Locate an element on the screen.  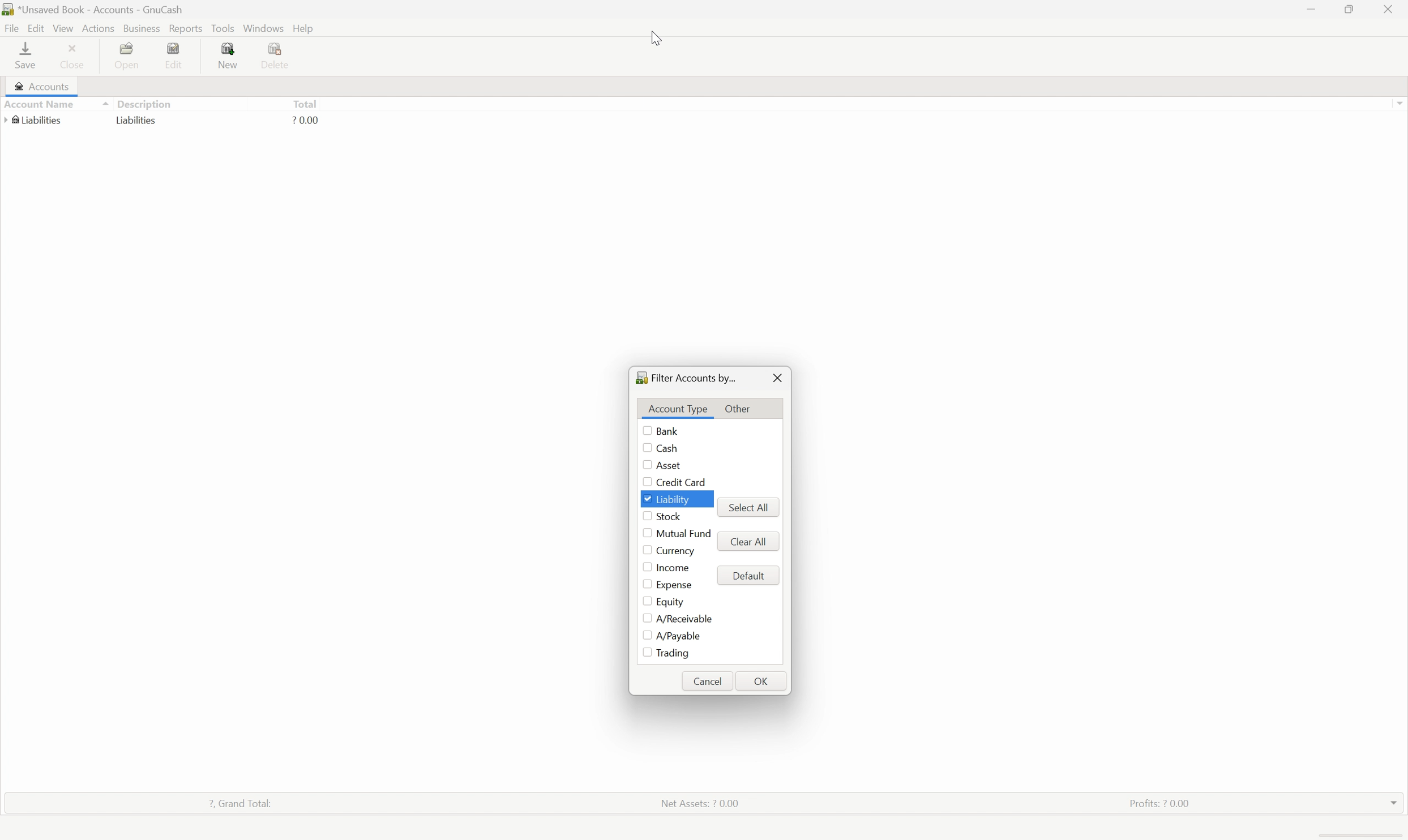
Credit Card is located at coordinates (687, 483).